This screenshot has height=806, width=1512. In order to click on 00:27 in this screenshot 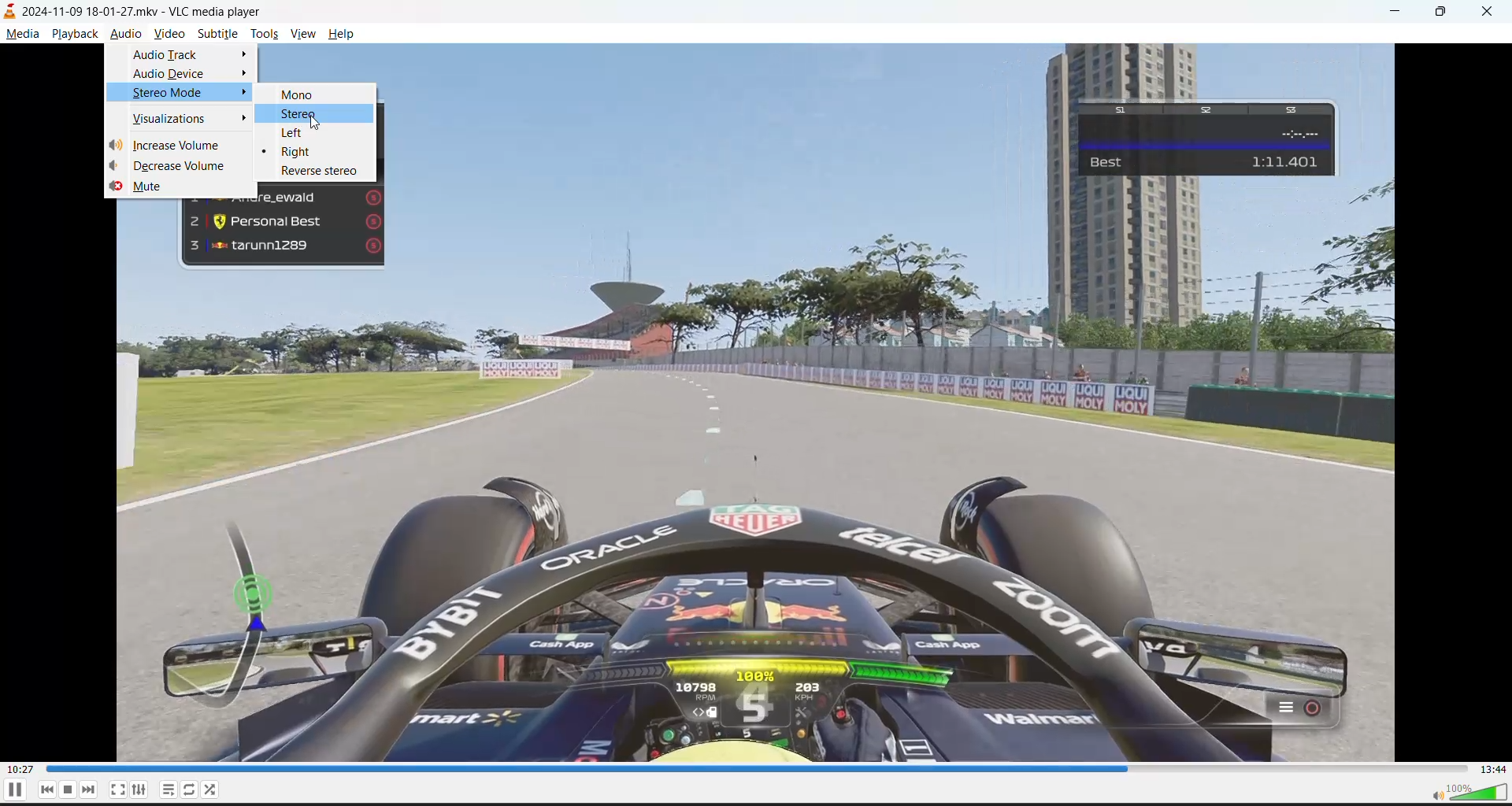, I will do `click(19, 767)`.